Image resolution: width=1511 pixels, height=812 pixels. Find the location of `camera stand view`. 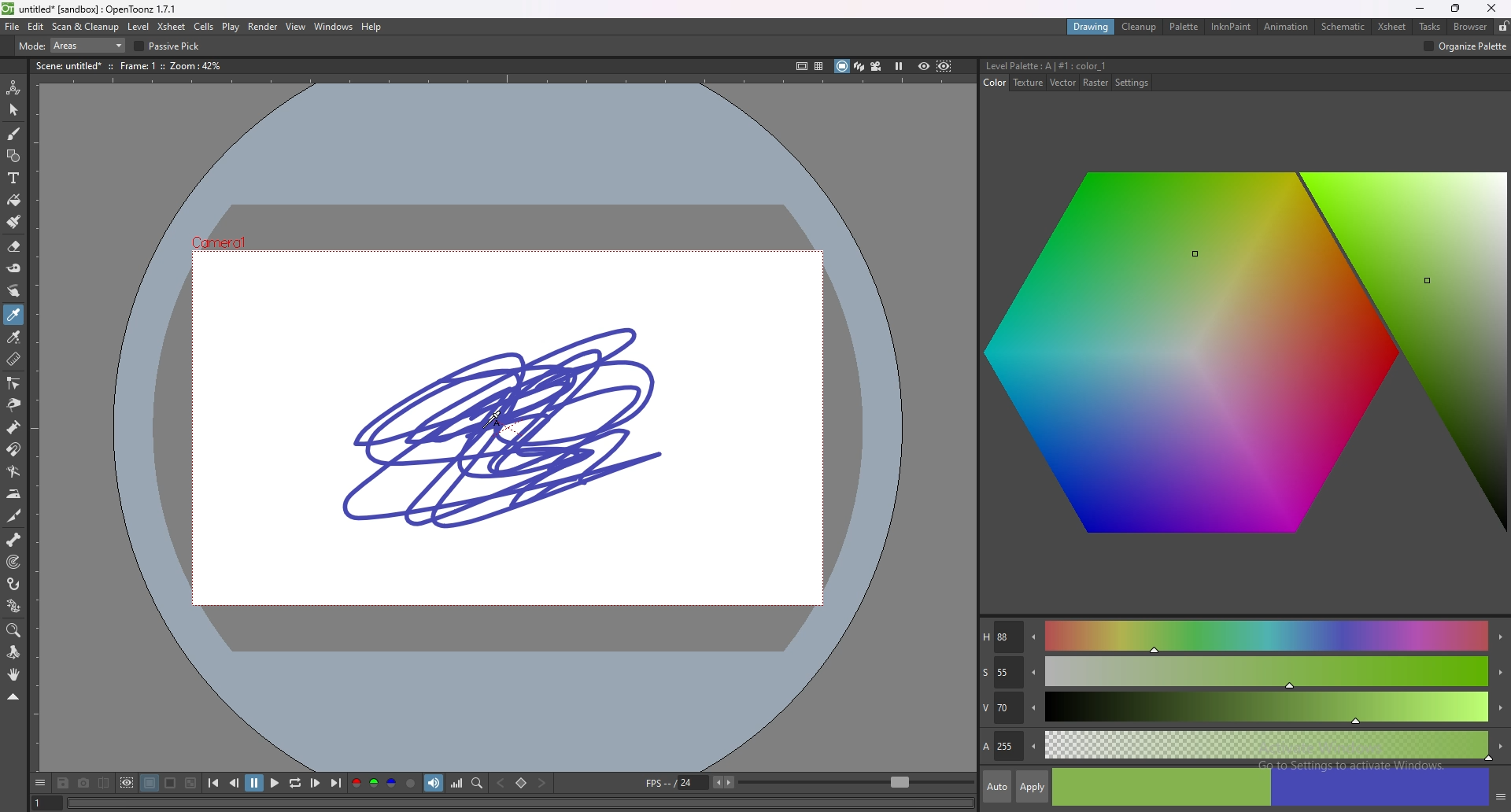

camera stand view is located at coordinates (840, 66).